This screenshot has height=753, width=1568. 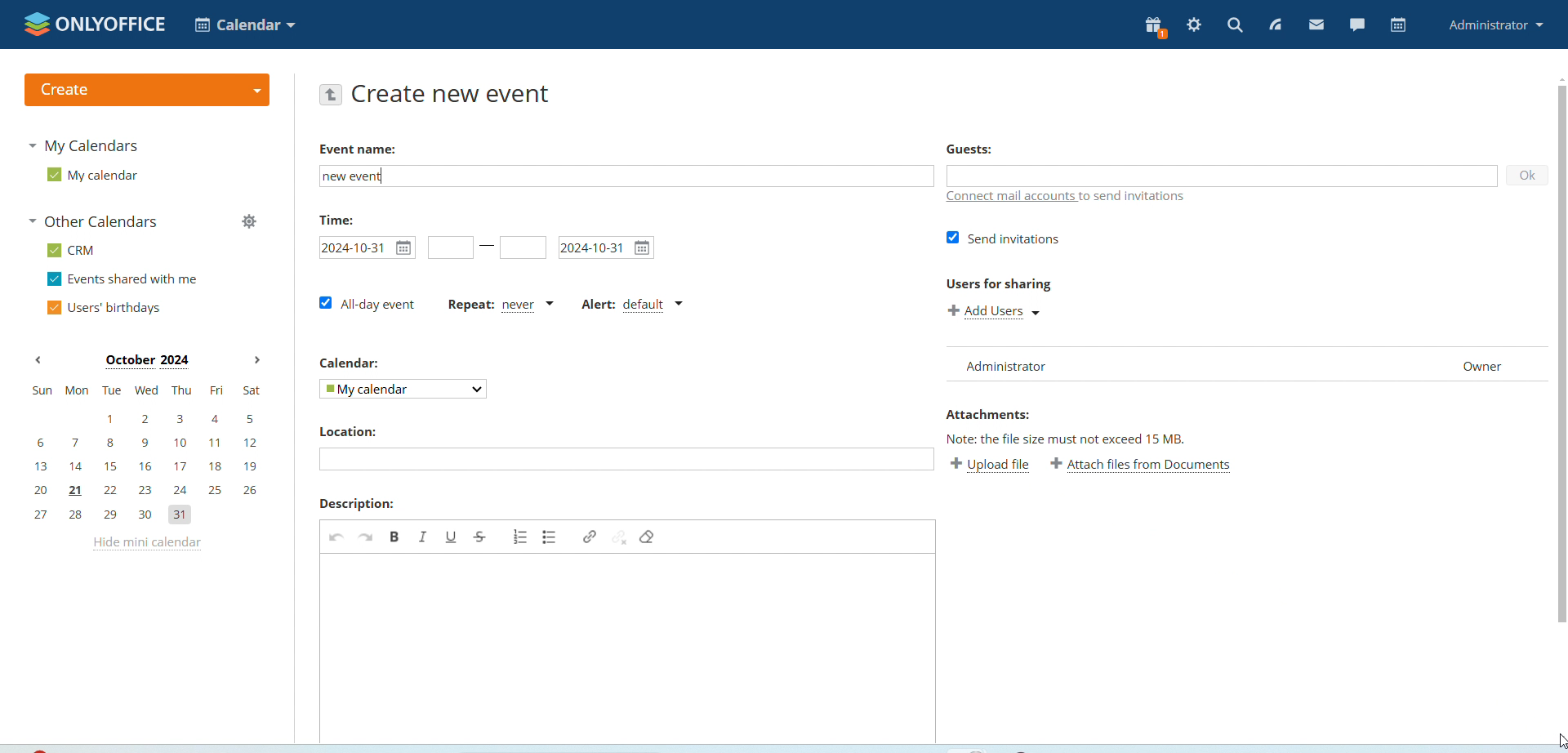 What do you see at coordinates (83, 146) in the screenshot?
I see `my calendaras` at bounding box center [83, 146].